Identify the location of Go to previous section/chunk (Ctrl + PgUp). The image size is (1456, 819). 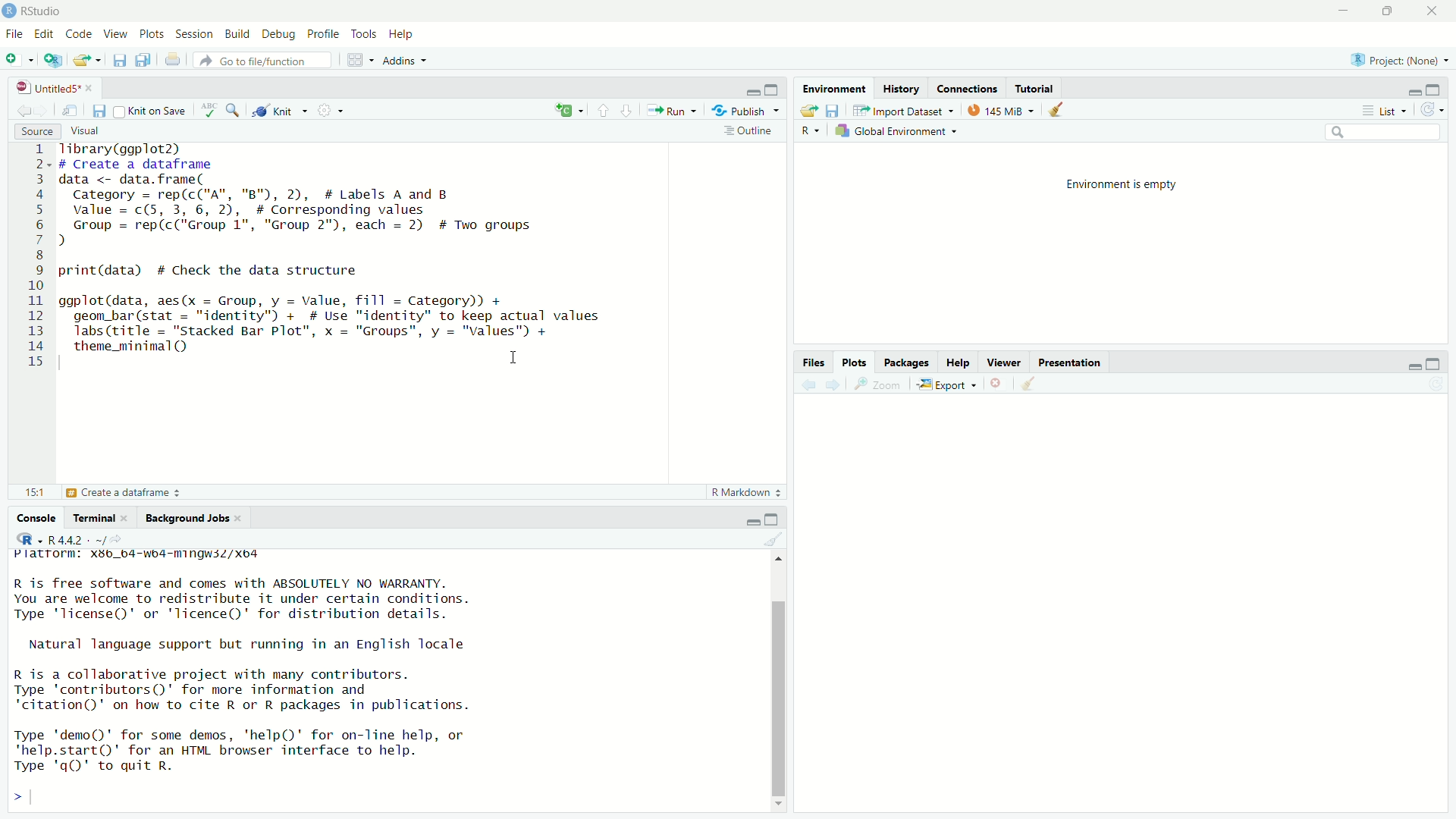
(600, 108).